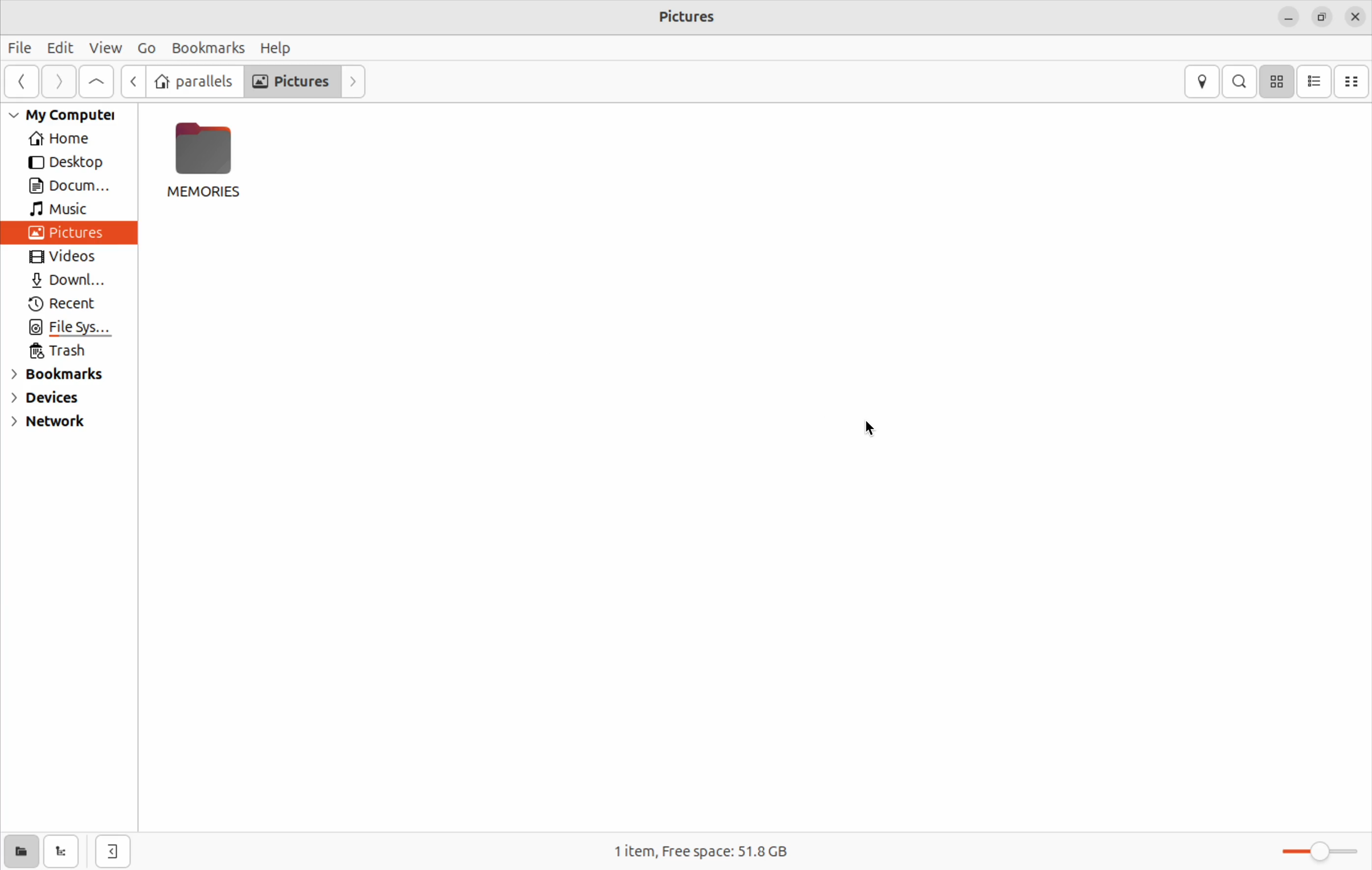 The height and width of the screenshot is (870, 1372). I want to click on Pictures, so click(59, 235).